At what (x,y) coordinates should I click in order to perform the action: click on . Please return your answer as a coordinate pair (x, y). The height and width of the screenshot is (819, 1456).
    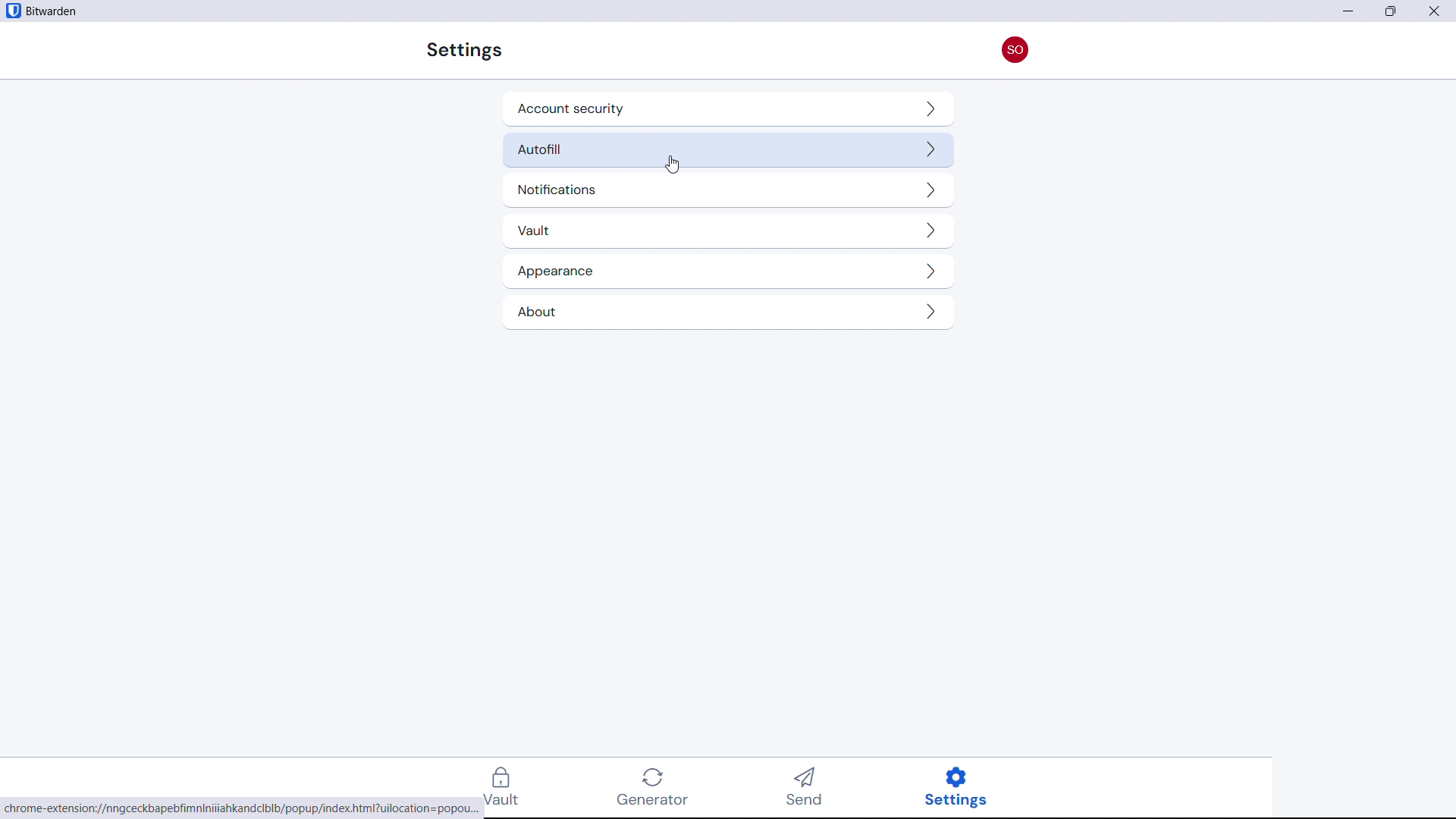
    Looking at the image, I should click on (462, 50).